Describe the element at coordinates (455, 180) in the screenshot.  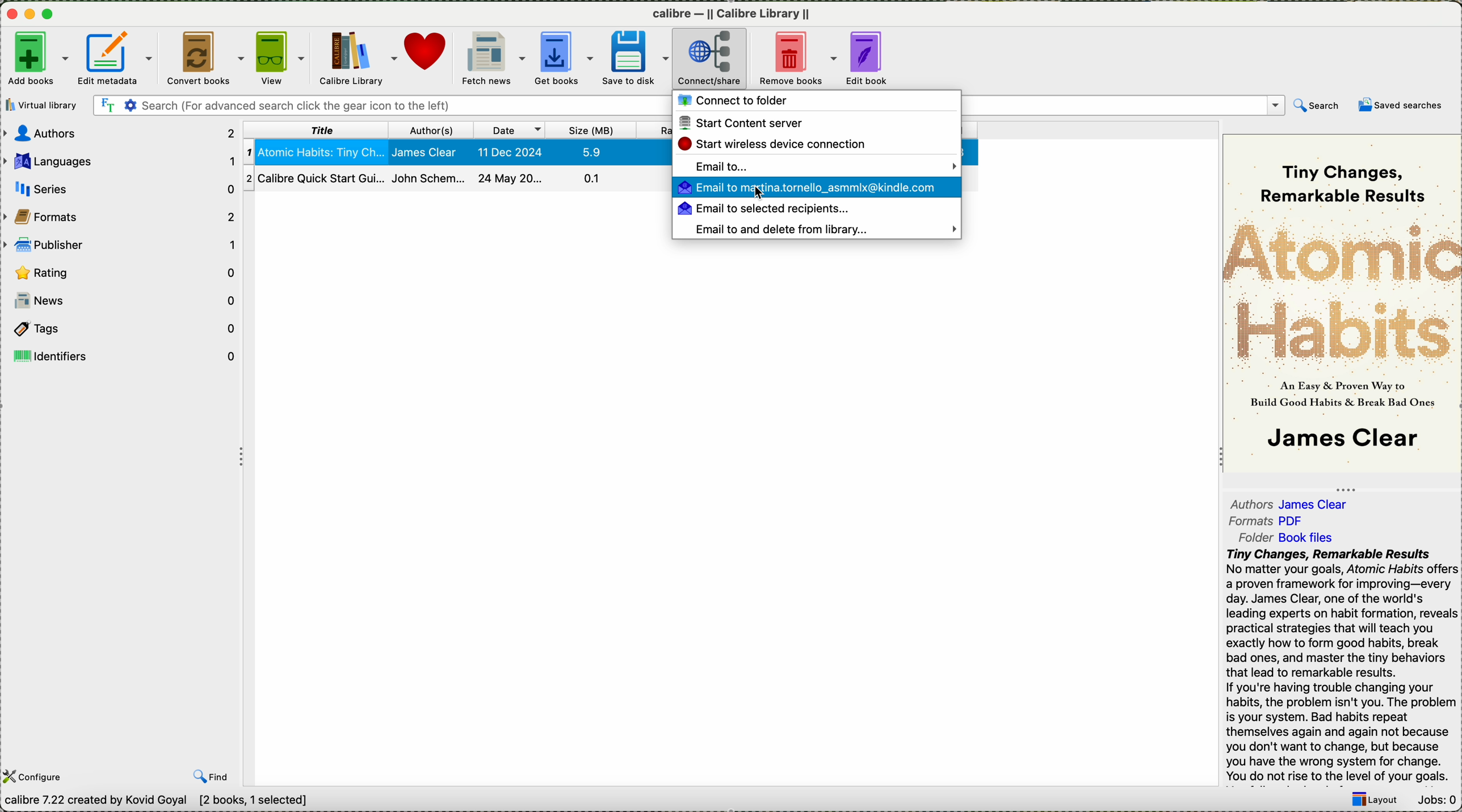
I see `second book` at that location.